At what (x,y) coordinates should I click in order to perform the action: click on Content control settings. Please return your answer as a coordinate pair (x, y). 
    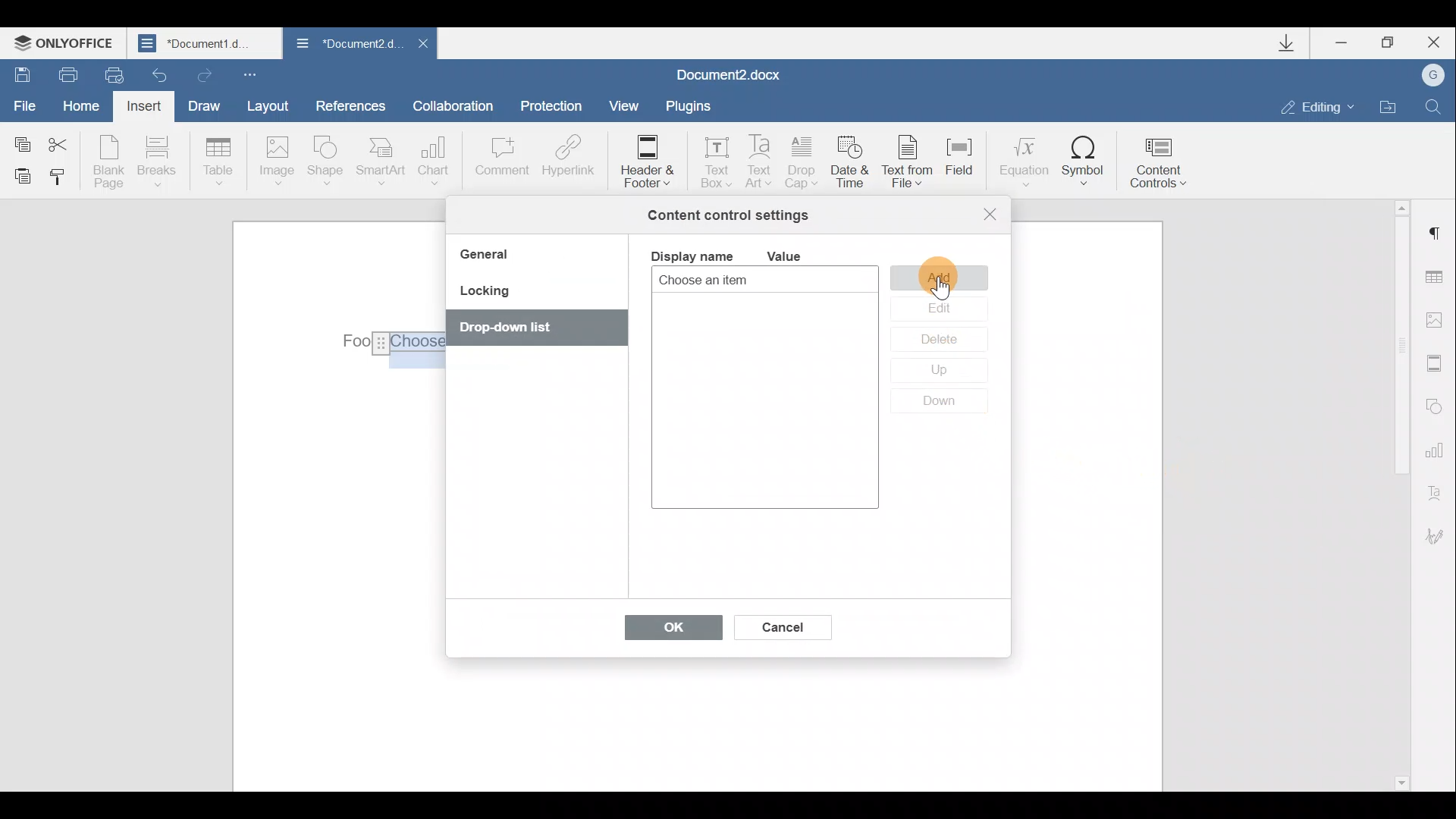
    Looking at the image, I should click on (728, 215).